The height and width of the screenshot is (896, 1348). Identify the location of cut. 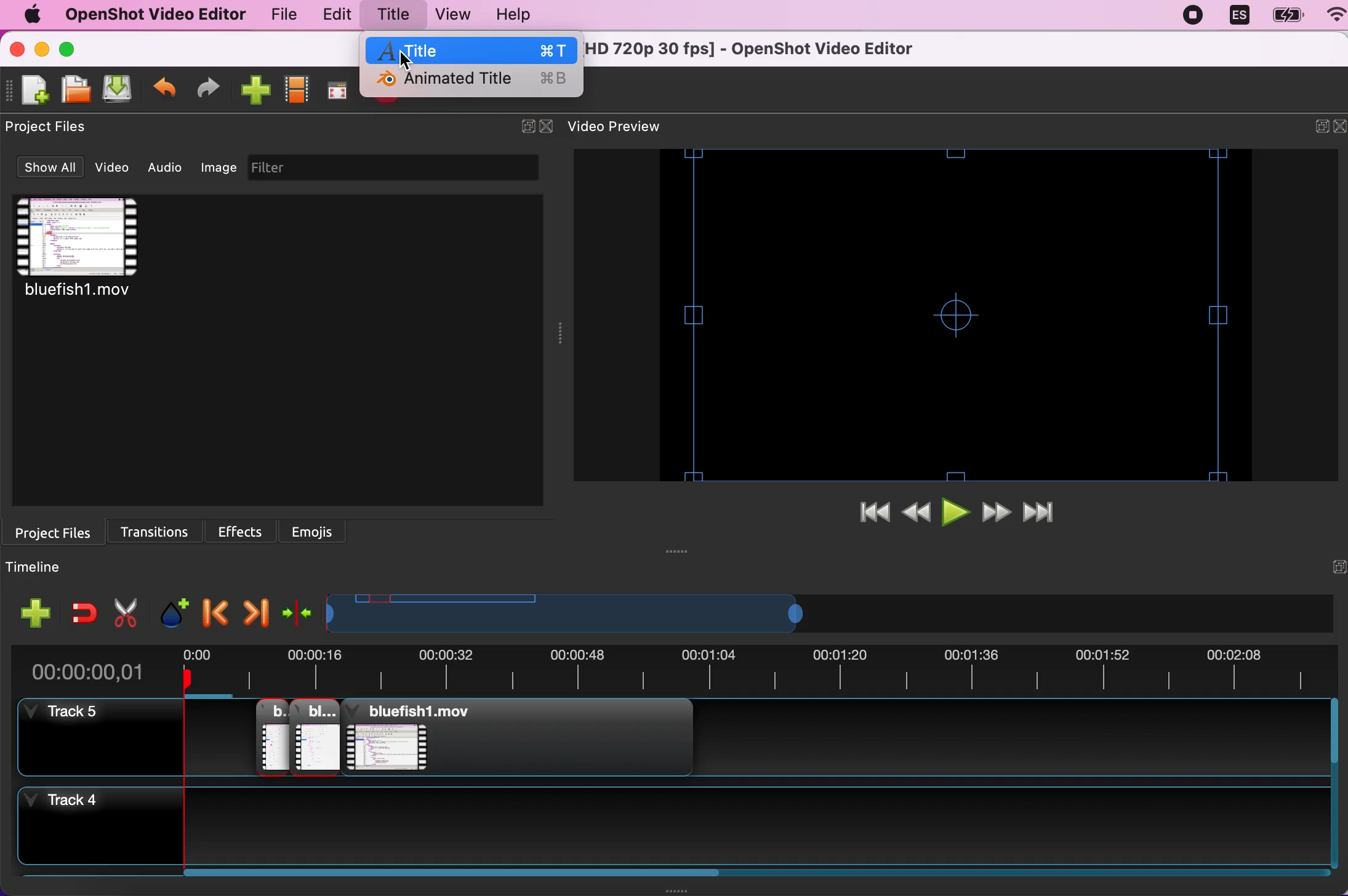
(126, 610).